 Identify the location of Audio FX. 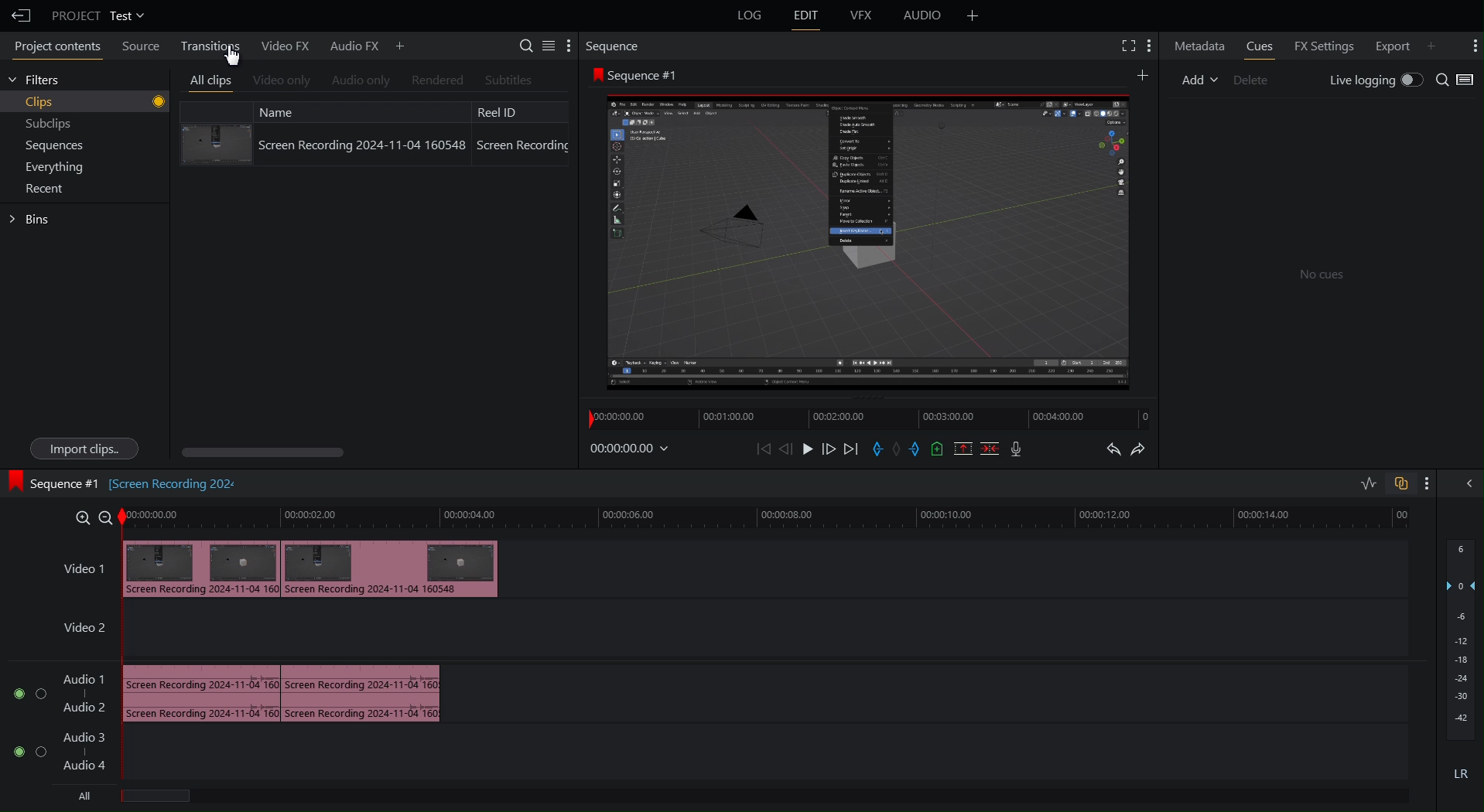
(350, 45).